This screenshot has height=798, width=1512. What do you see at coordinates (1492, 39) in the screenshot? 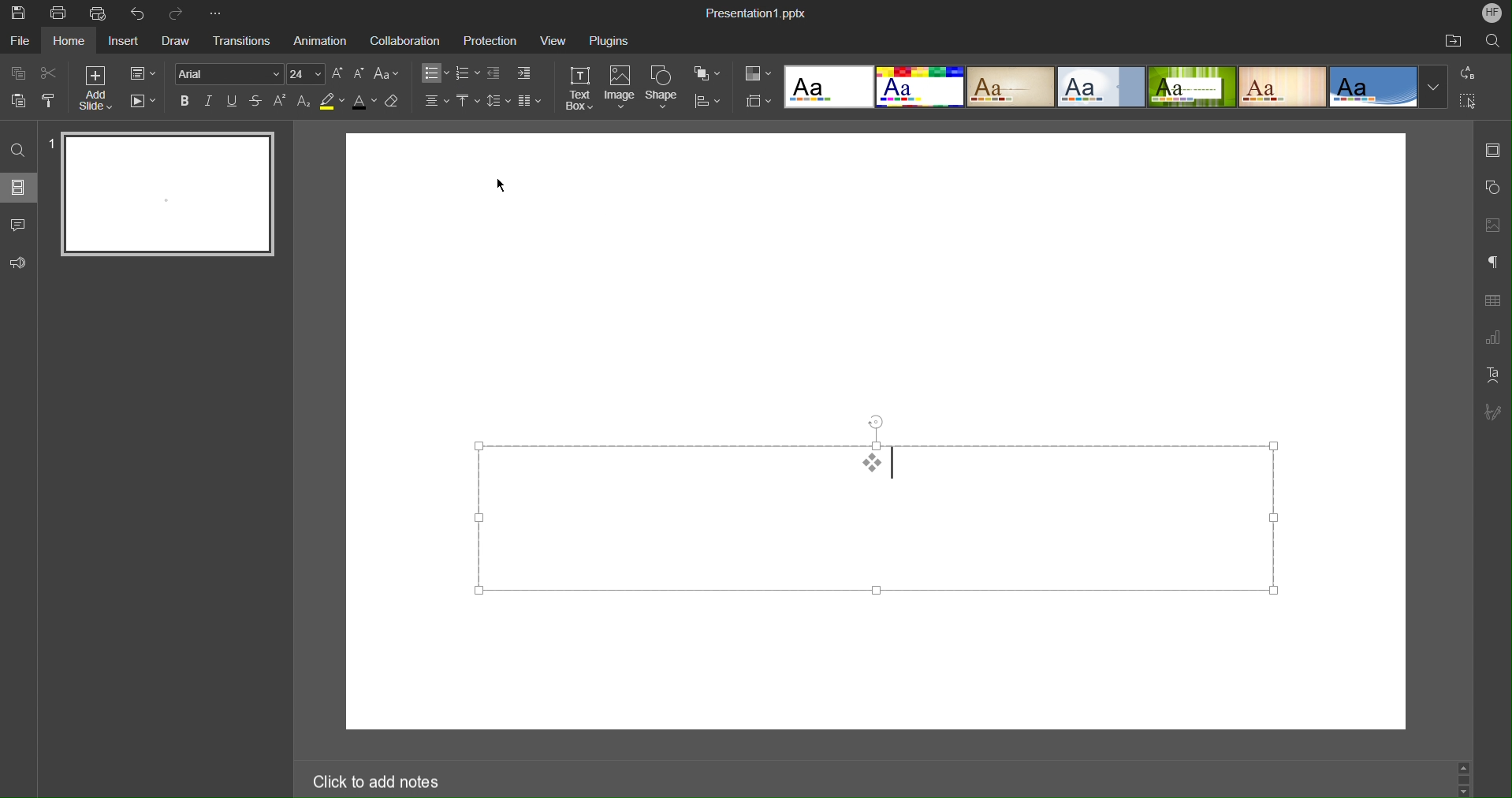
I see `Search` at bounding box center [1492, 39].